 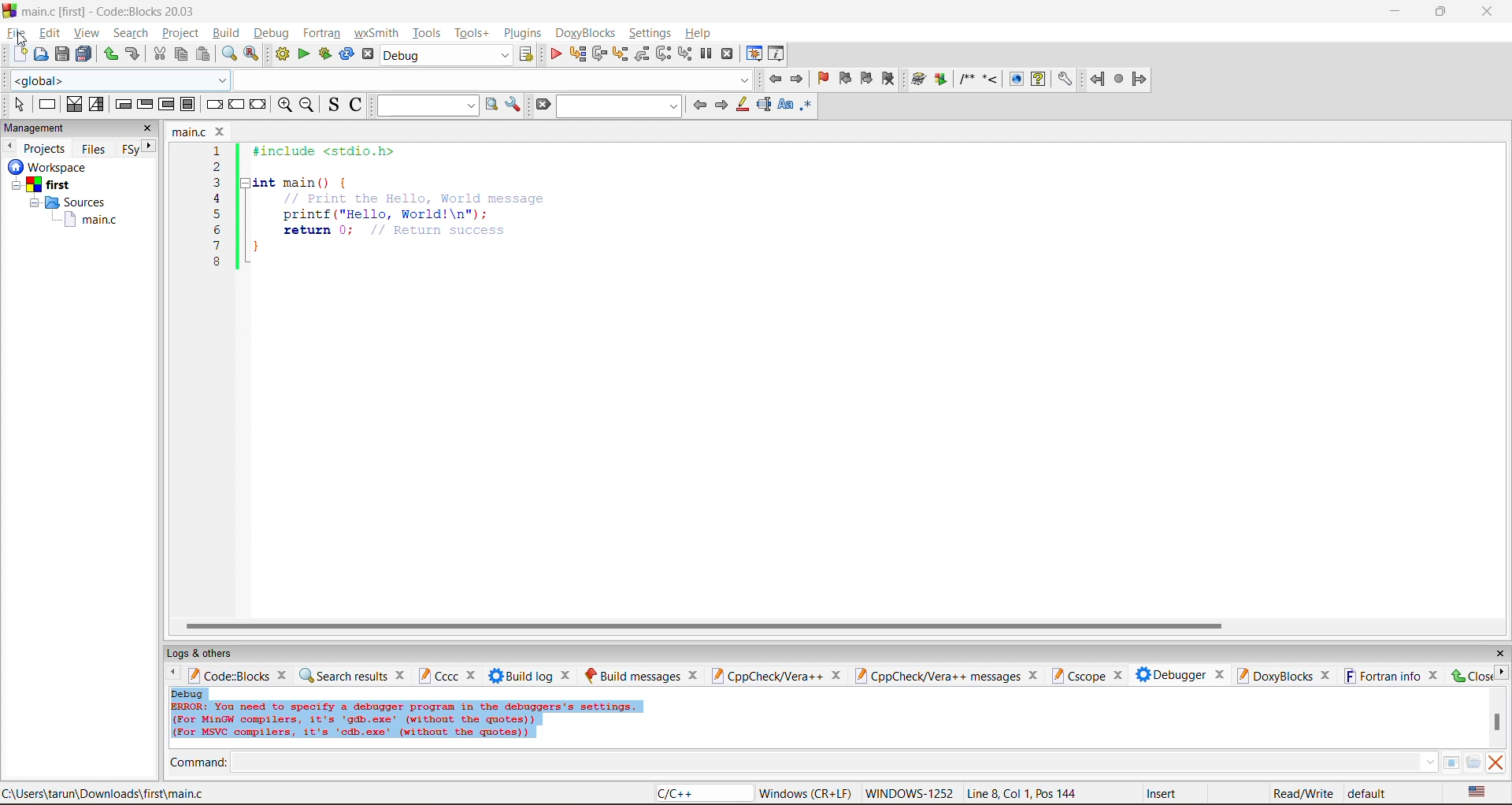 I want to click on printf("Hello, World!\n", so click(x=388, y=213).